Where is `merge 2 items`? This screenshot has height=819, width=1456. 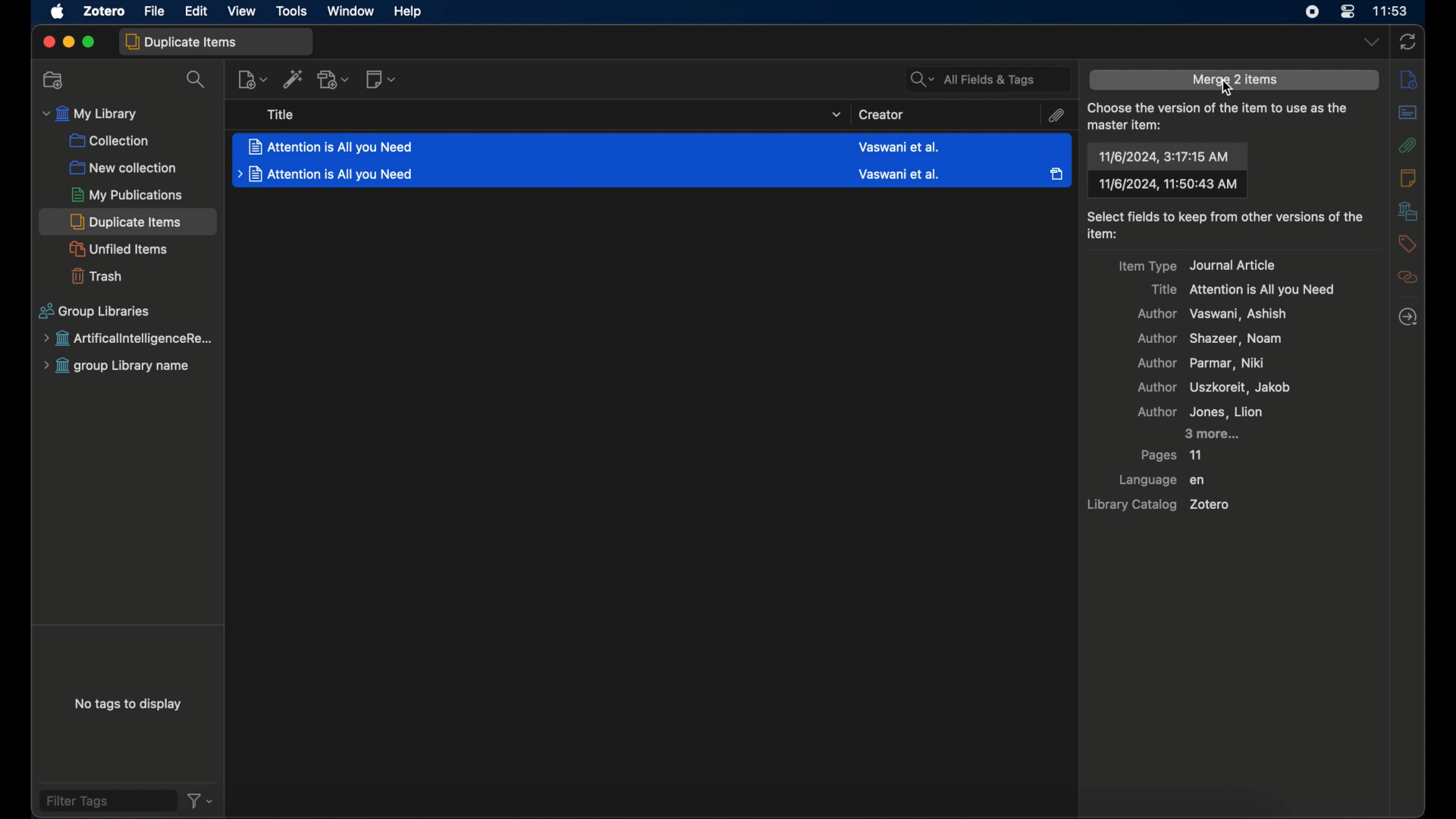
merge 2 items is located at coordinates (1235, 80).